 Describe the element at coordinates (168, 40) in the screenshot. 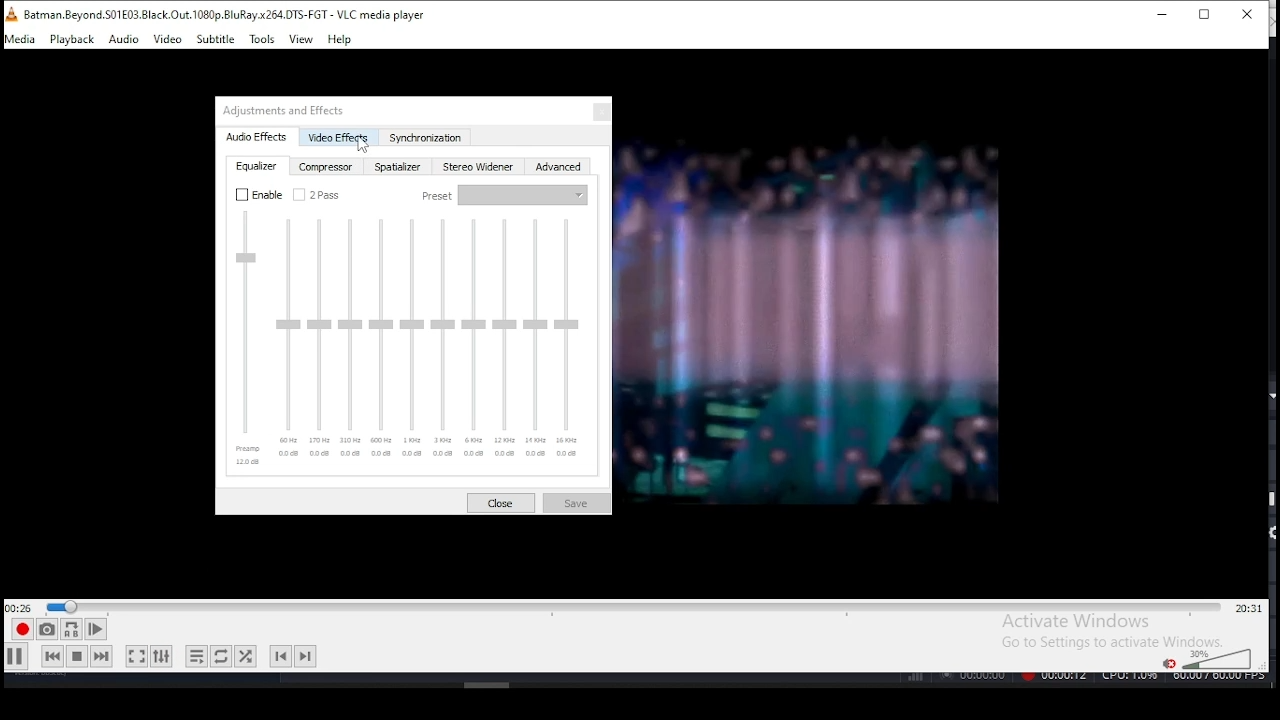

I see `video` at that location.